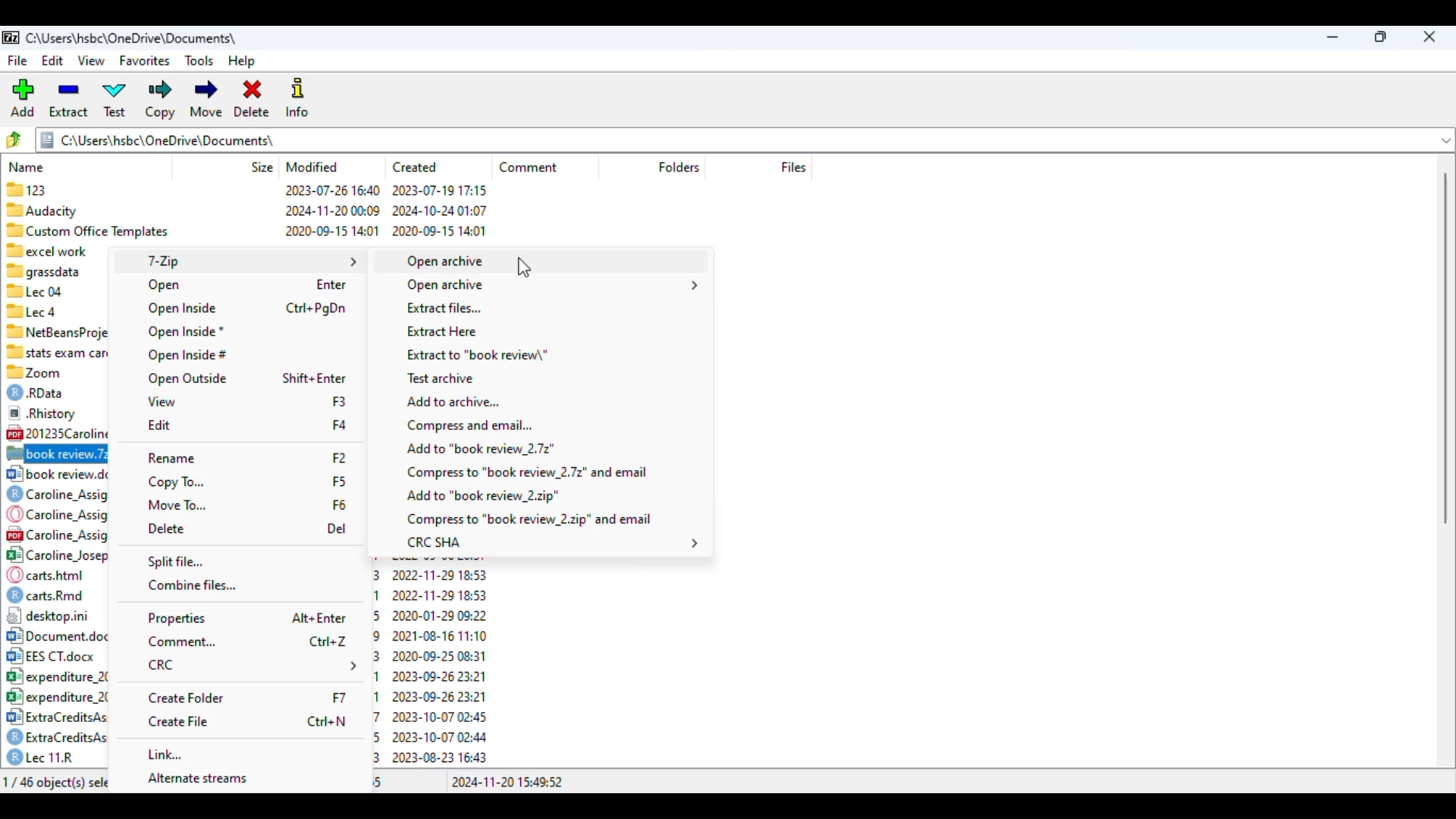 Image resolution: width=1456 pixels, height=819 pixels. Describe the element at coordinates (183, 309) in the screenshot. I see `open inside` at that location.